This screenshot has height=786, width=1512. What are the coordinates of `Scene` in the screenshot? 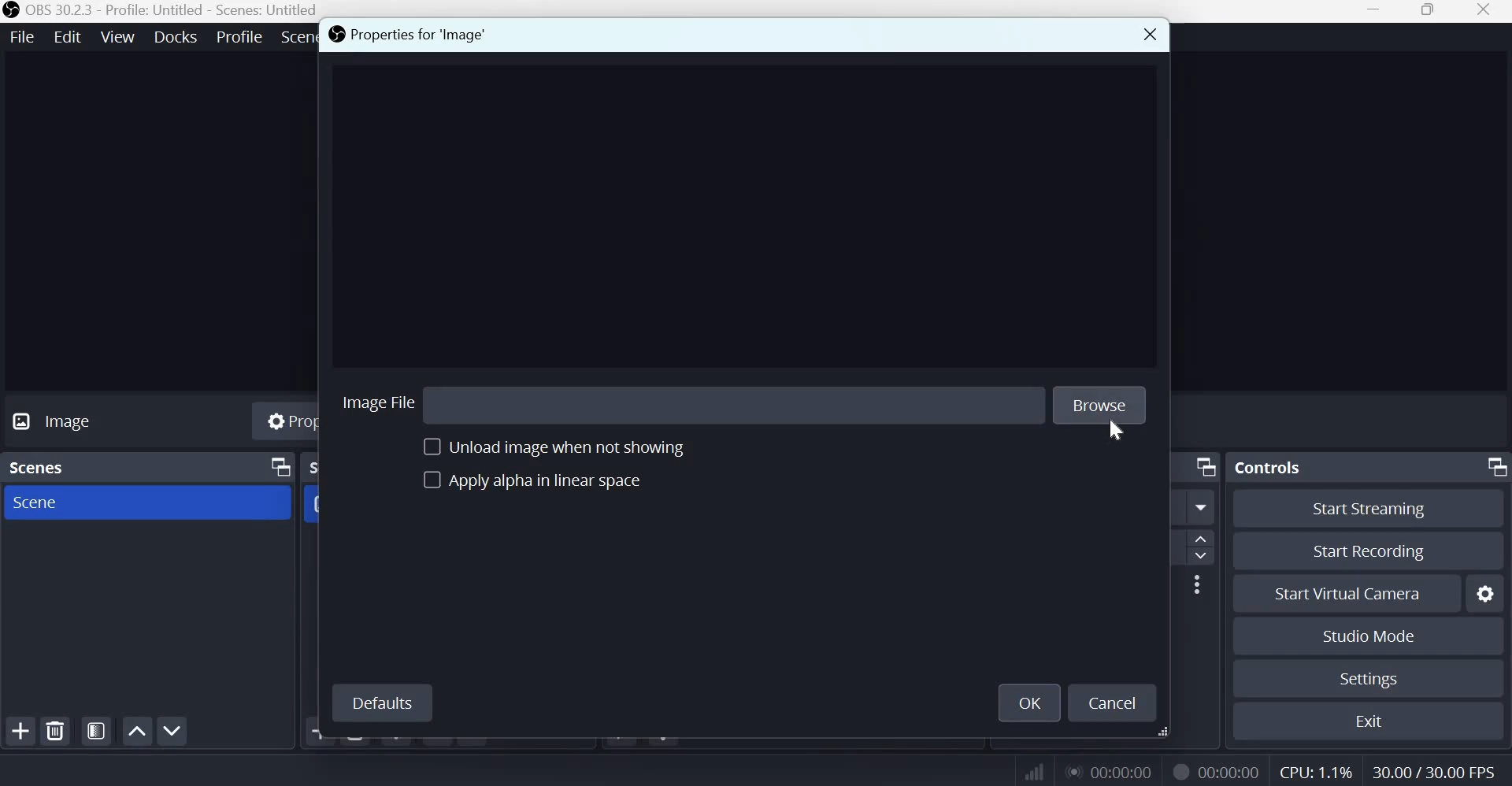 It's located at (46, 504).